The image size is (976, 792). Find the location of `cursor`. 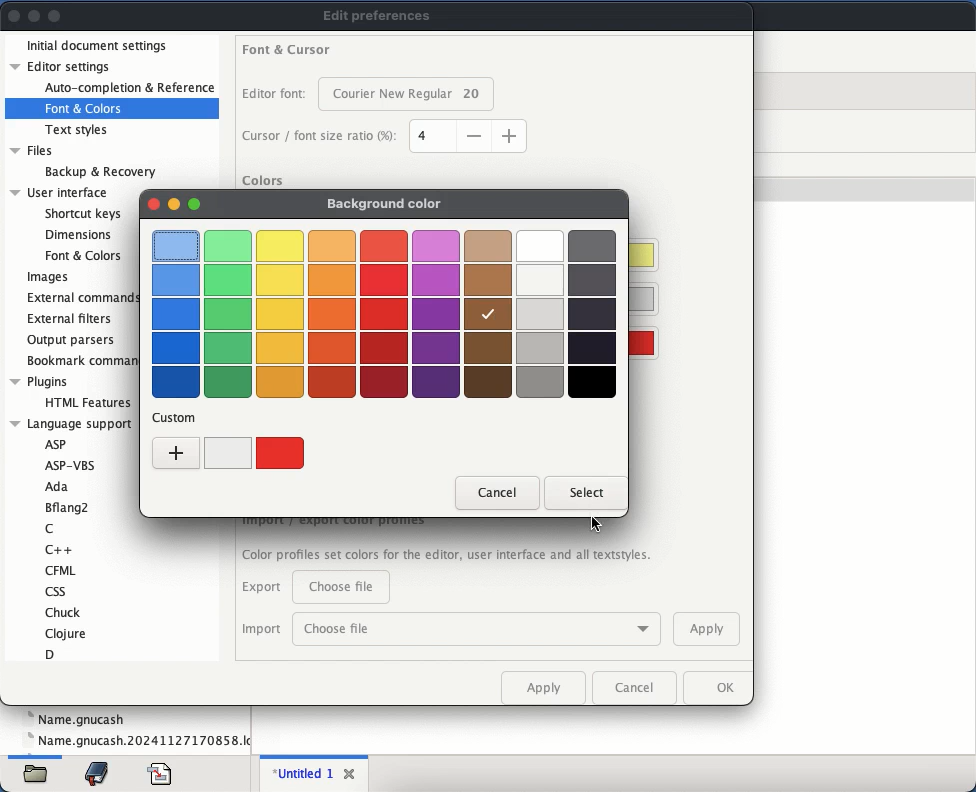

cursor is located at coordinates (597, 525).